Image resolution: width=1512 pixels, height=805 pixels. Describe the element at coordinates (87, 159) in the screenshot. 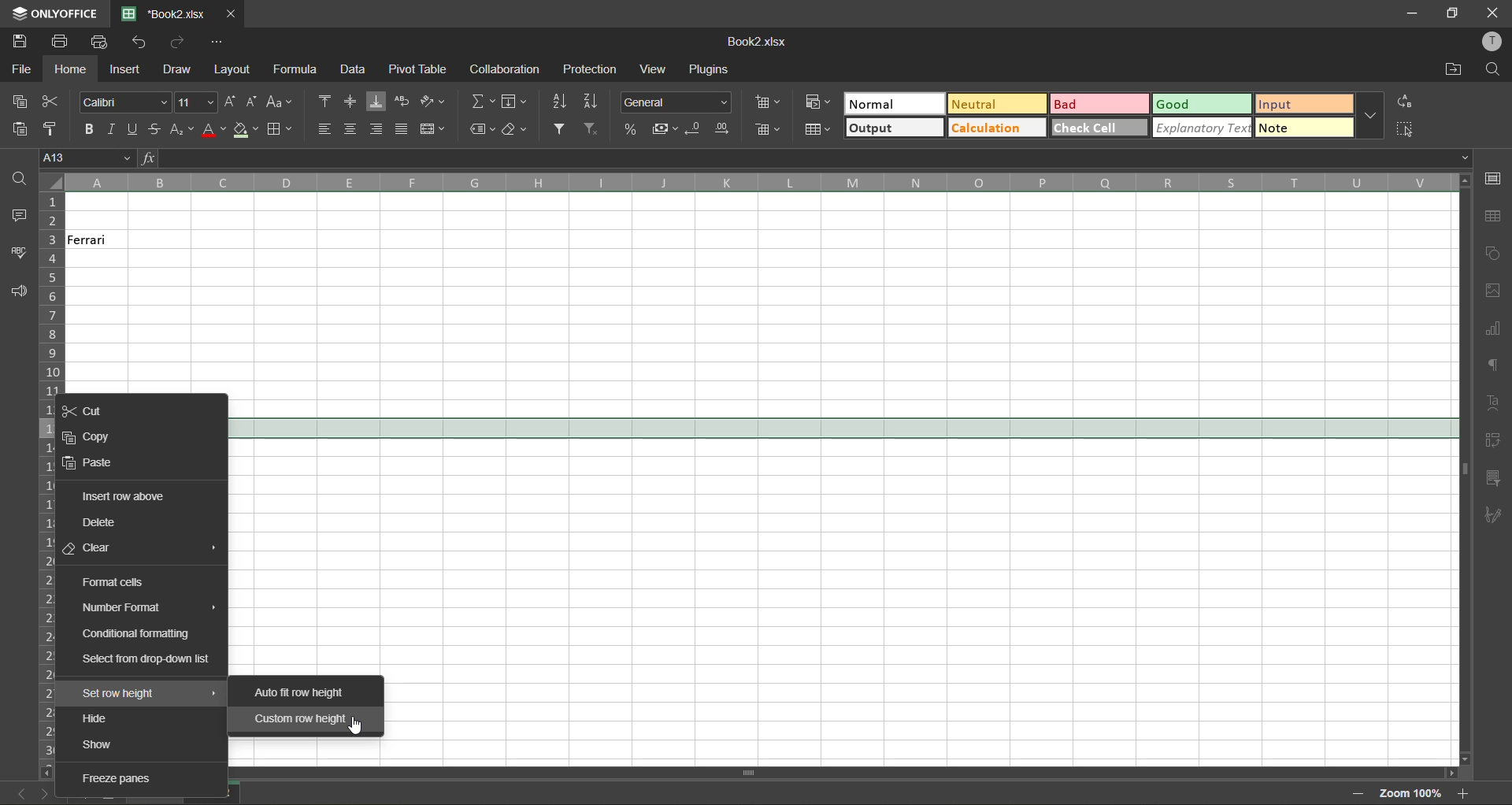

I see `cell address` at that location.